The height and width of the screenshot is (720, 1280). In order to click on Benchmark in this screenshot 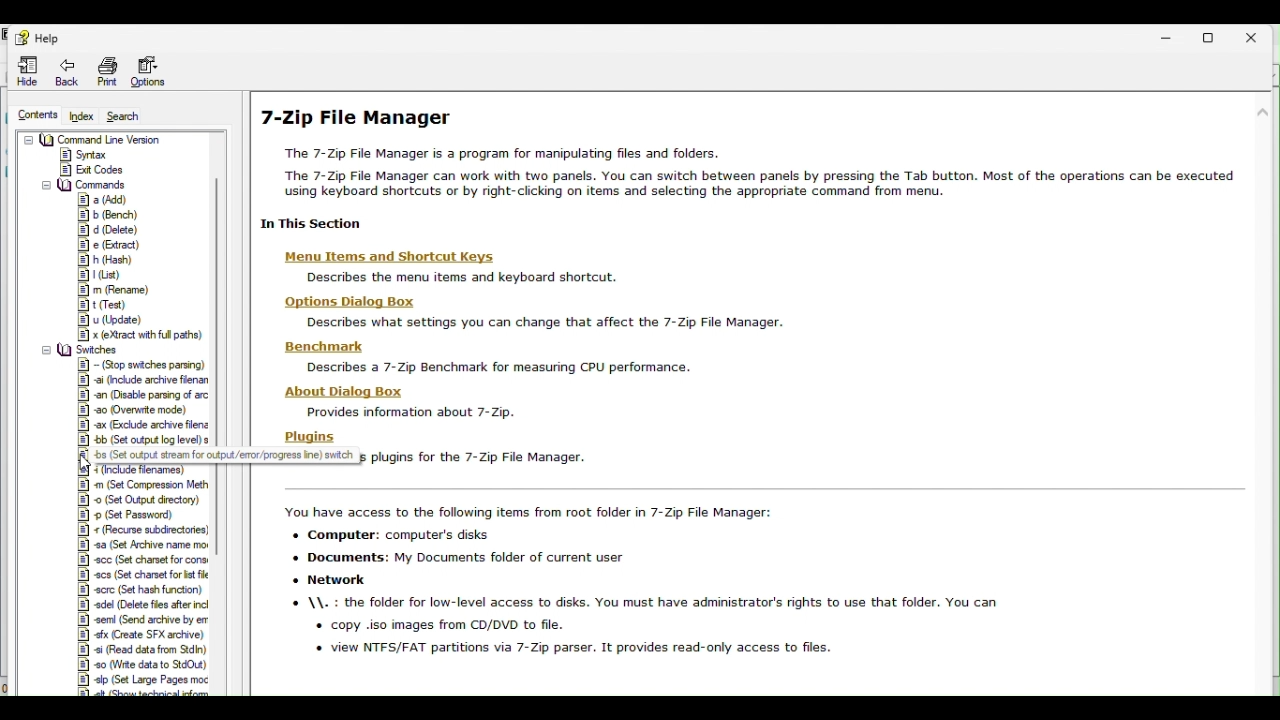, I will do `click(325, 346)`.